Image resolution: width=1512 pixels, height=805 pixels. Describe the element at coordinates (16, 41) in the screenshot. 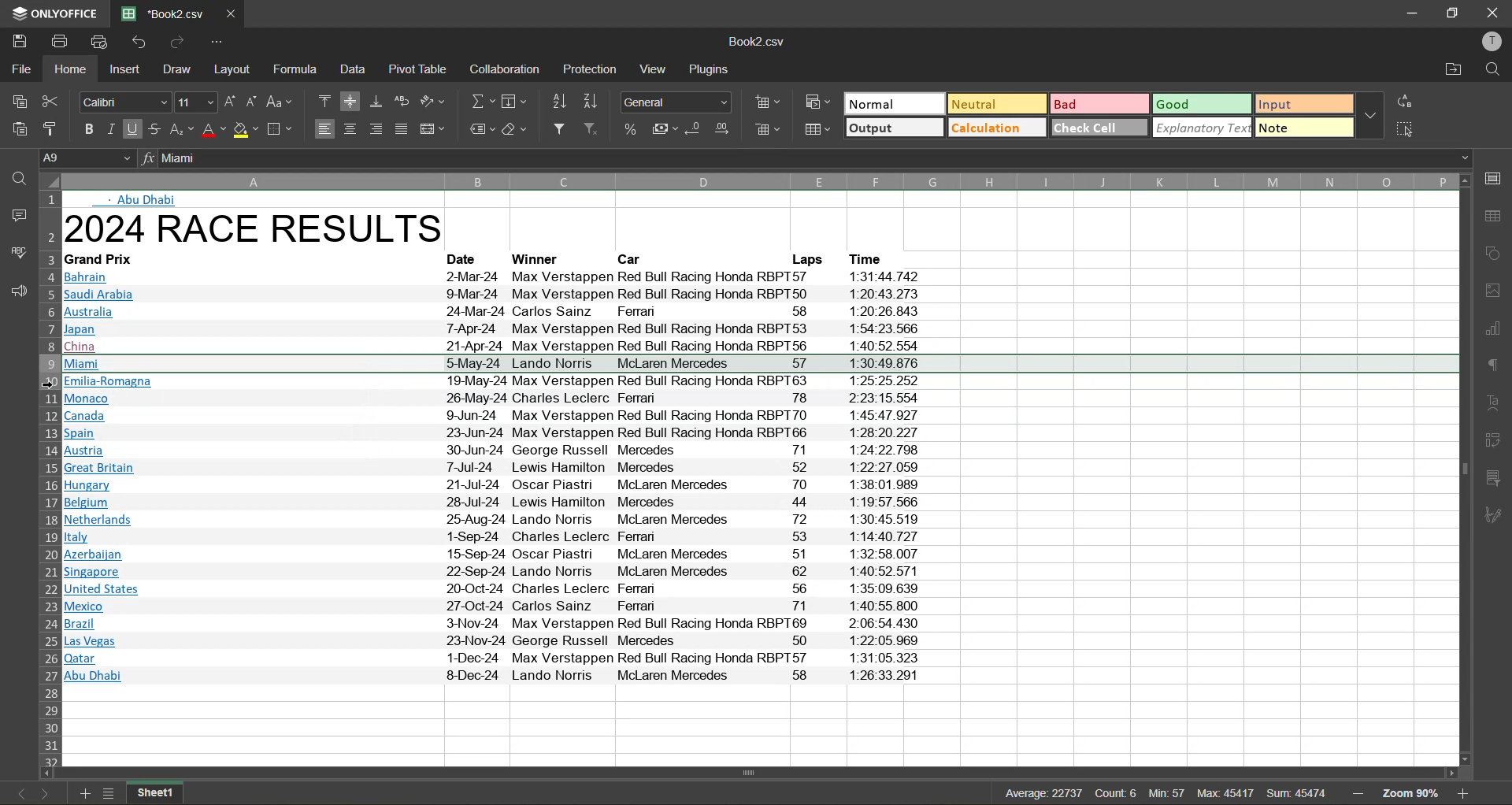

I see `save` at that location.